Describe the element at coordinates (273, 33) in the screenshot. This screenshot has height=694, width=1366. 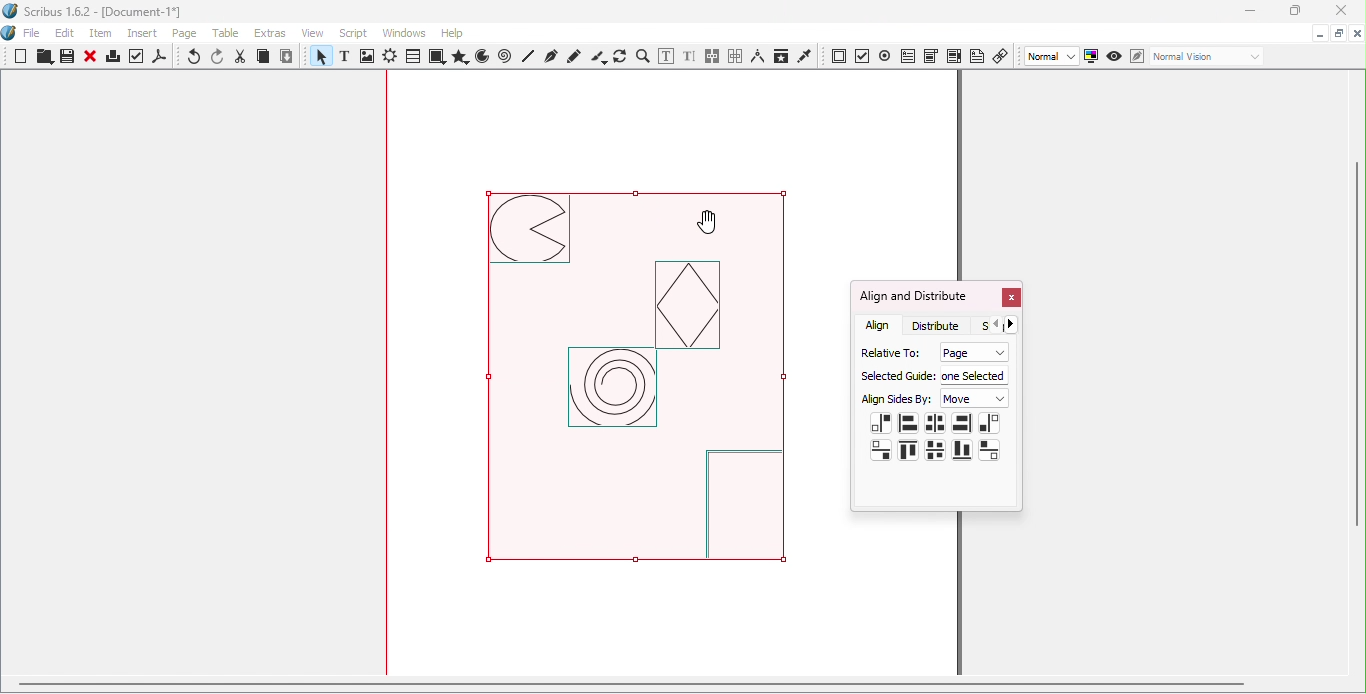
I see `Extras` at that location.